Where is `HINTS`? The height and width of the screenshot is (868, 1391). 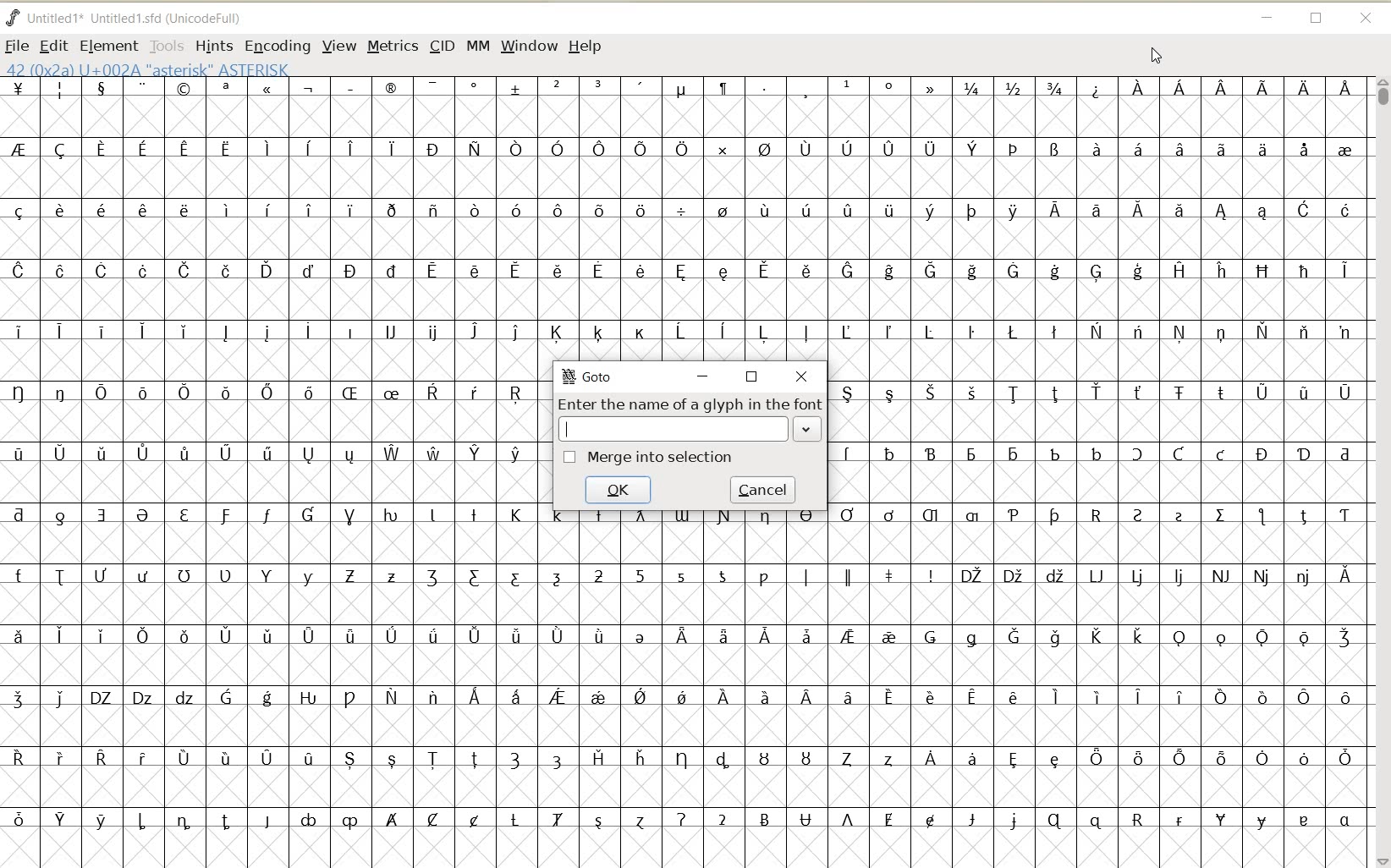 HINTS is located at coordinates (213, 47).